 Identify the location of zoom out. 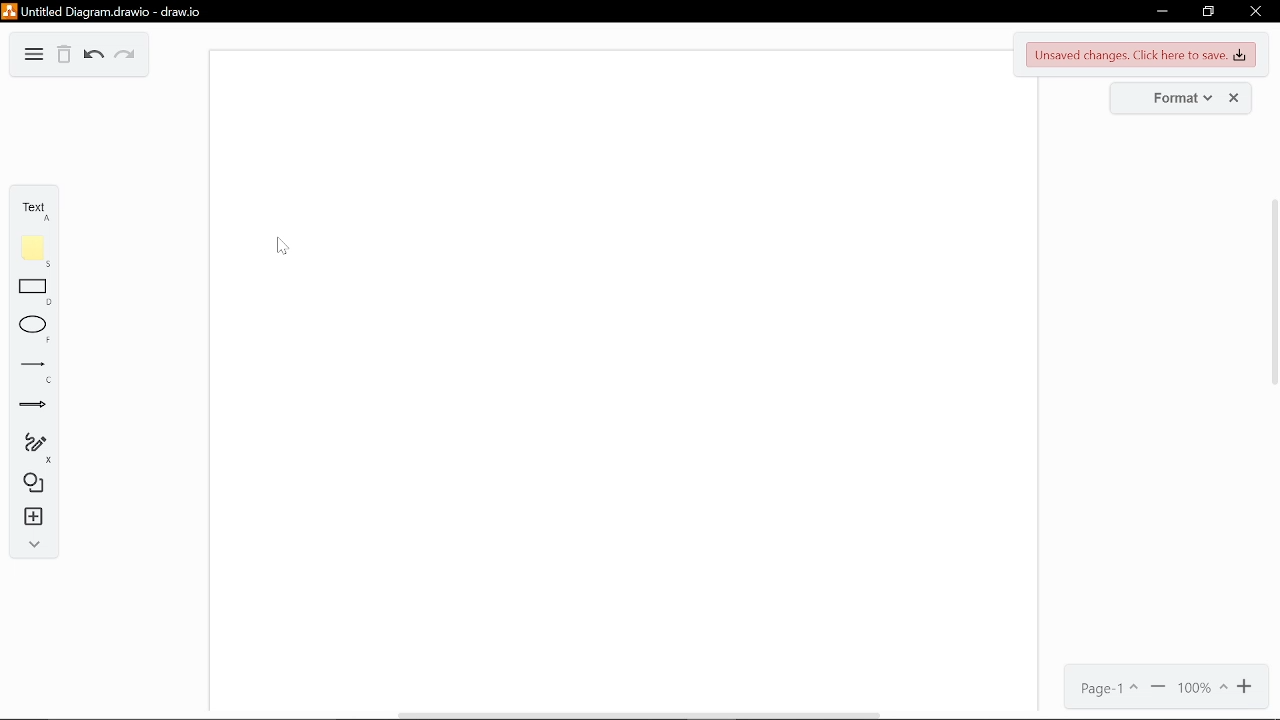
(1159, 688).